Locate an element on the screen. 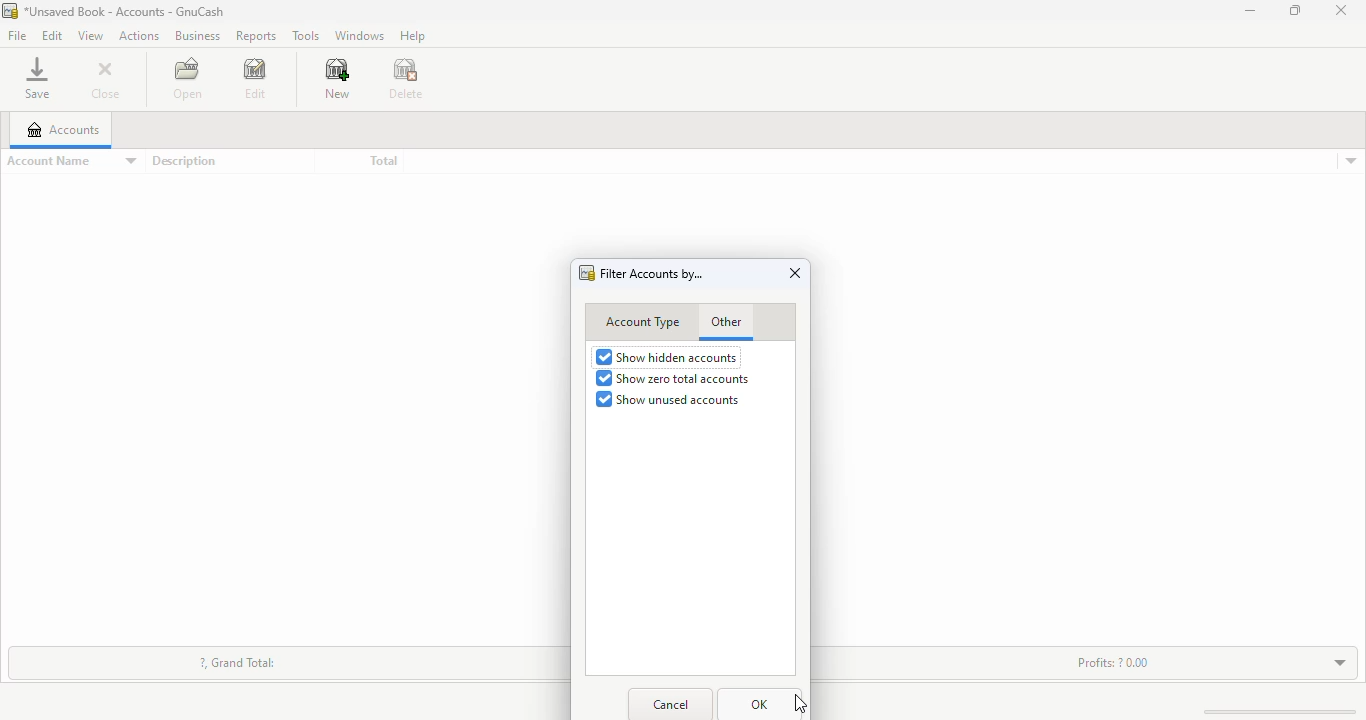  ?, grand total: is located at coordinates (238, 662).